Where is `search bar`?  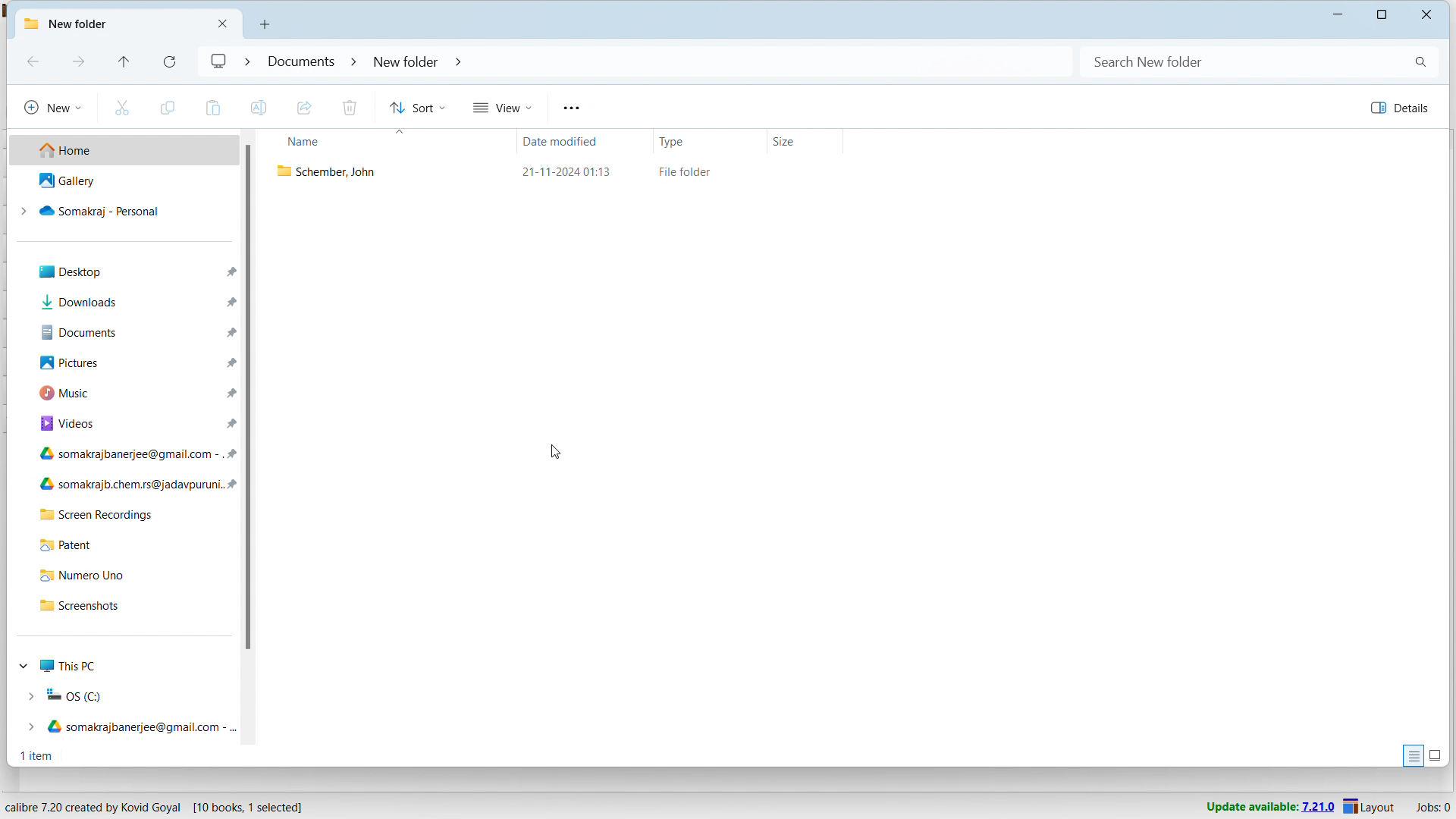
search bar is located at coordinates (1254, 60).